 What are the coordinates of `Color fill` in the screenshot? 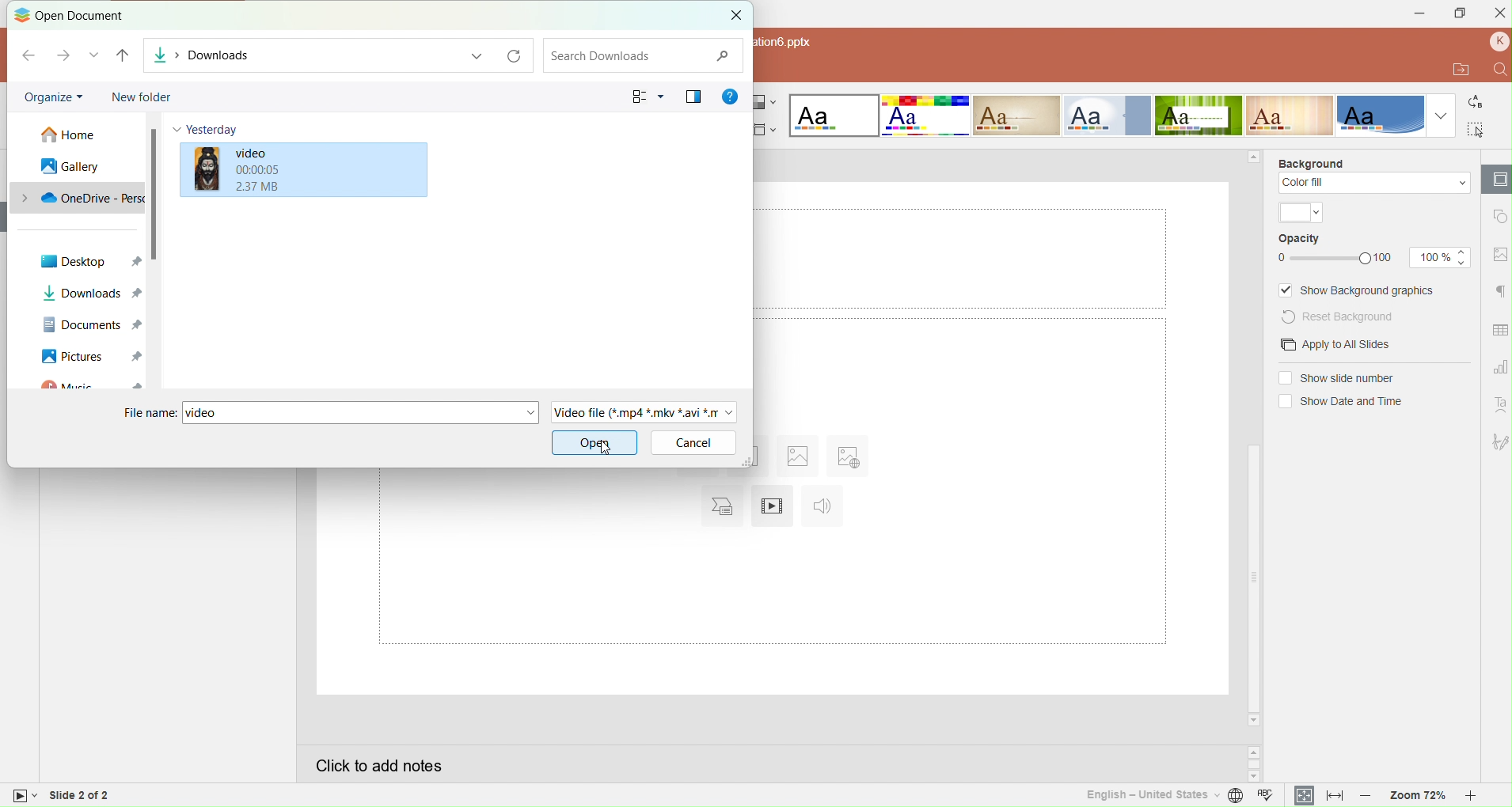 It's located at (1376, 184).